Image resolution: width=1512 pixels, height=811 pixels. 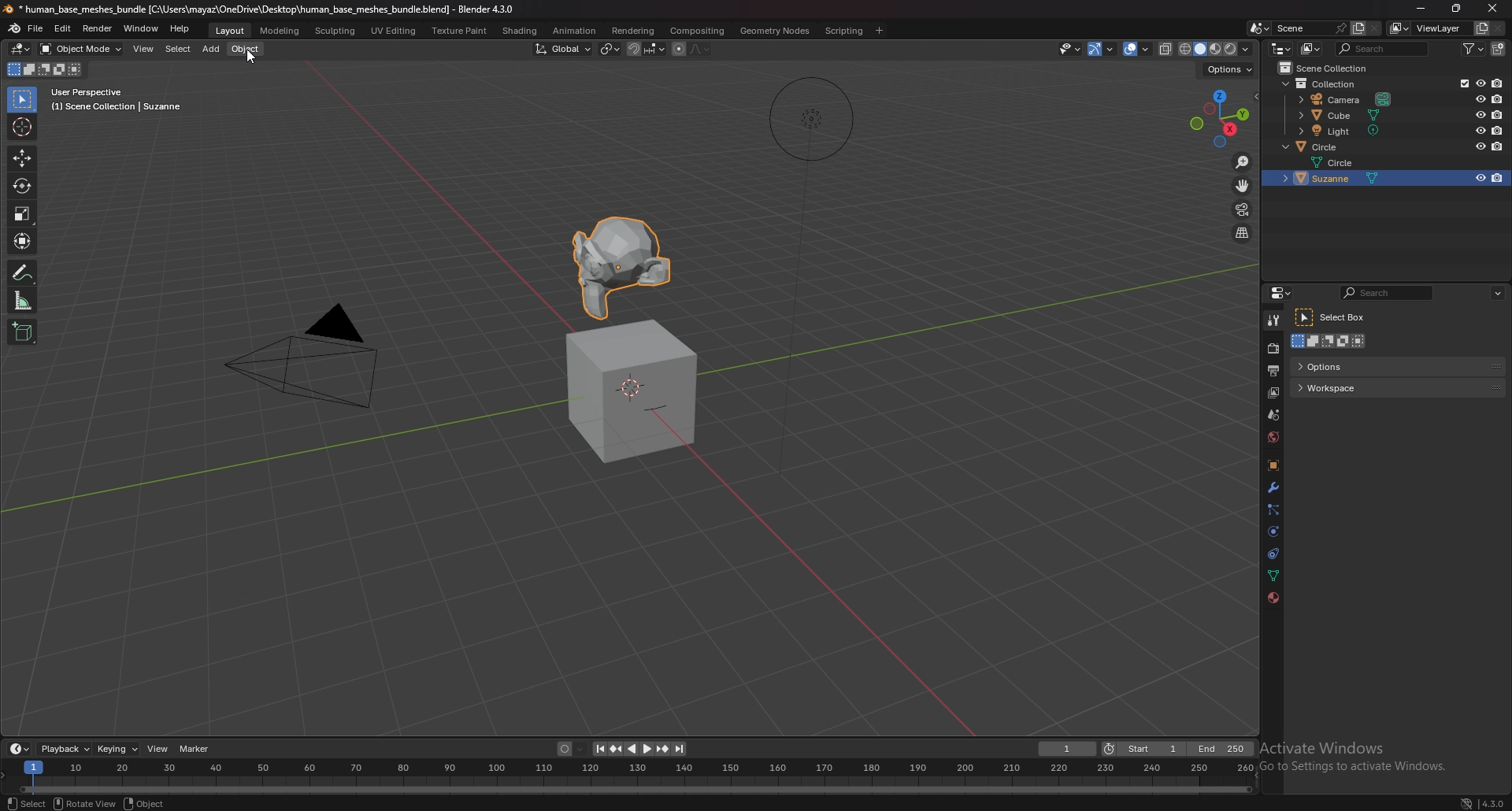 What do you see at coordinates (213, 49) in the screenshot?
I see `add` at bounding box center [213, 49].